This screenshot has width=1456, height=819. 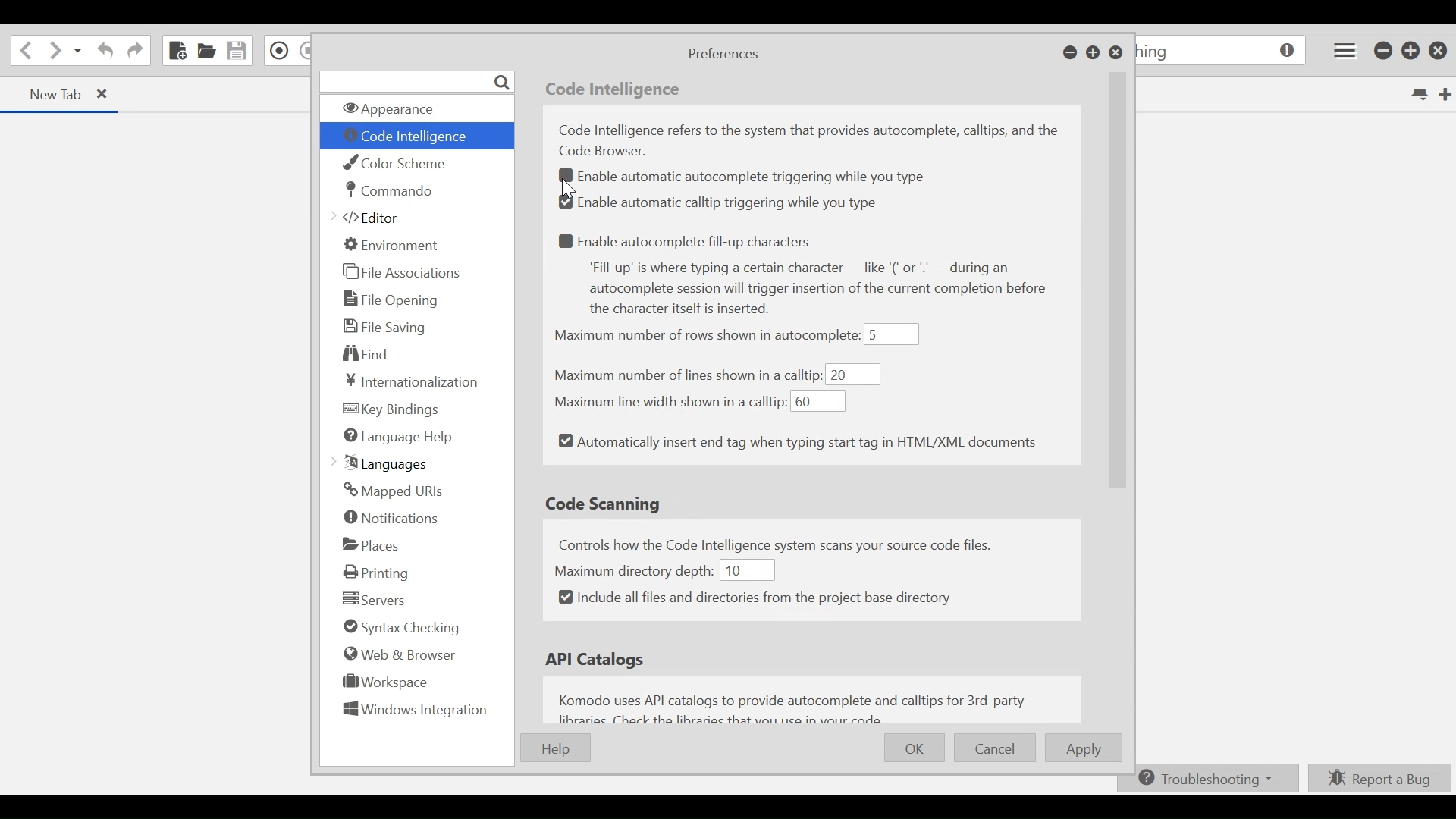 I want to click on Redo last action, so click(x=135, y=52).